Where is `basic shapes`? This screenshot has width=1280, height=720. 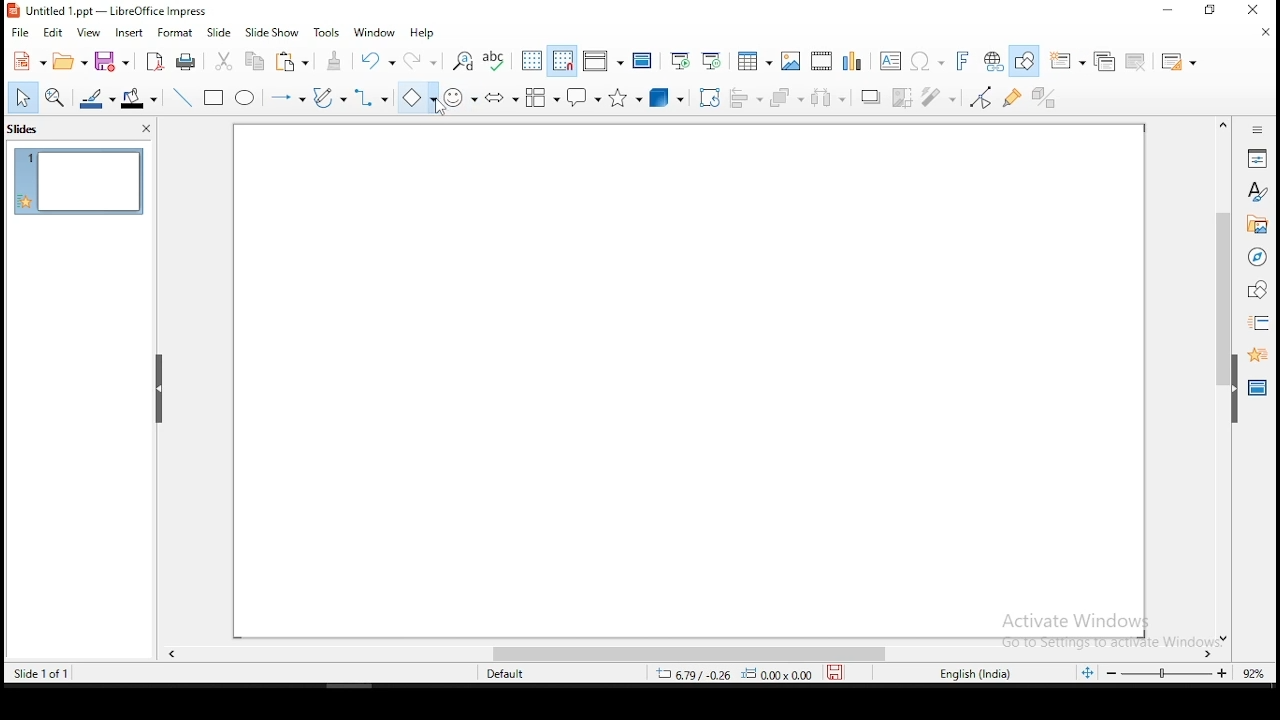 basic shapes is located at coordinates (415, 98).